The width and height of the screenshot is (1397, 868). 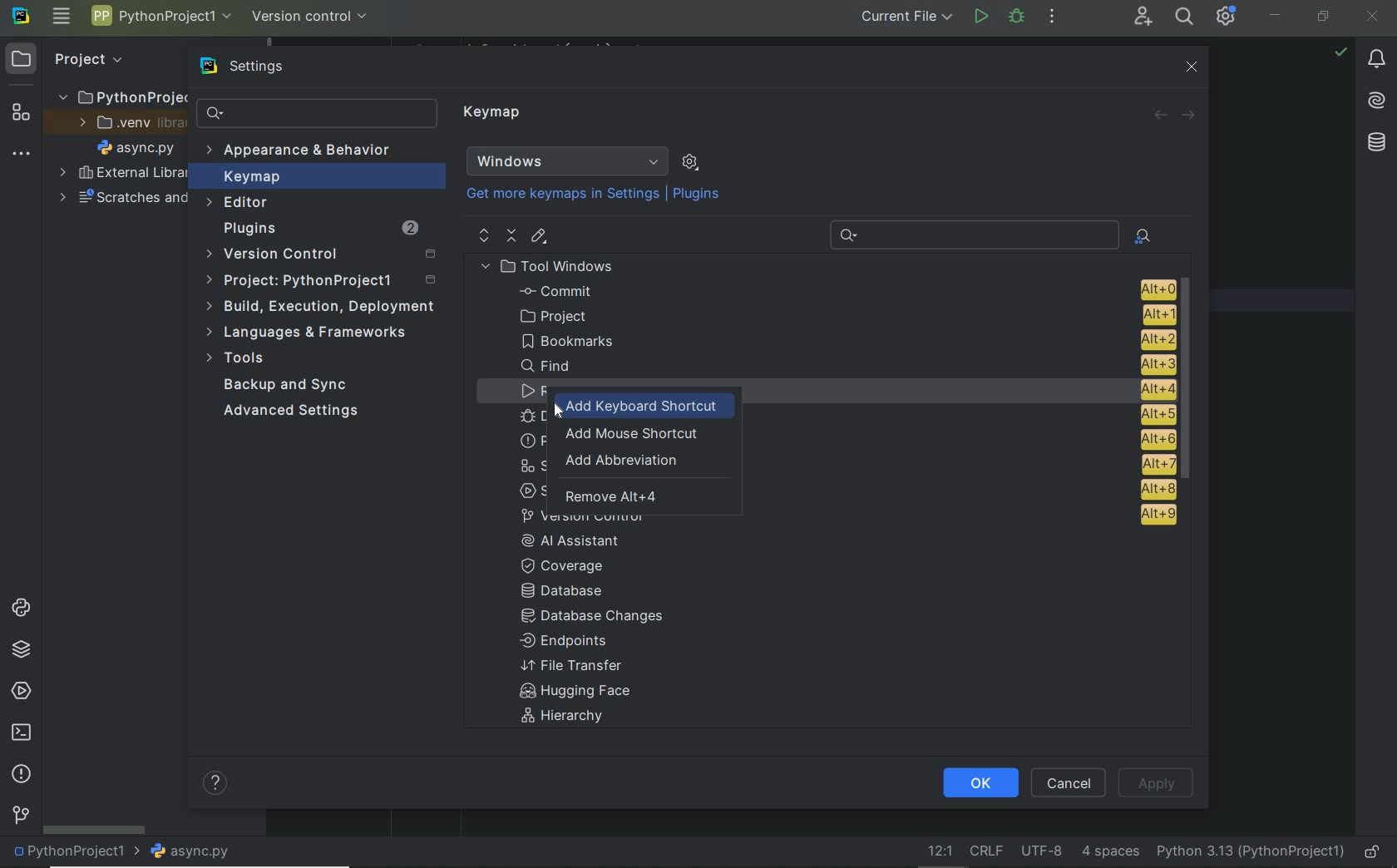 I want to click on no problems, so click(x=1340, y=52).